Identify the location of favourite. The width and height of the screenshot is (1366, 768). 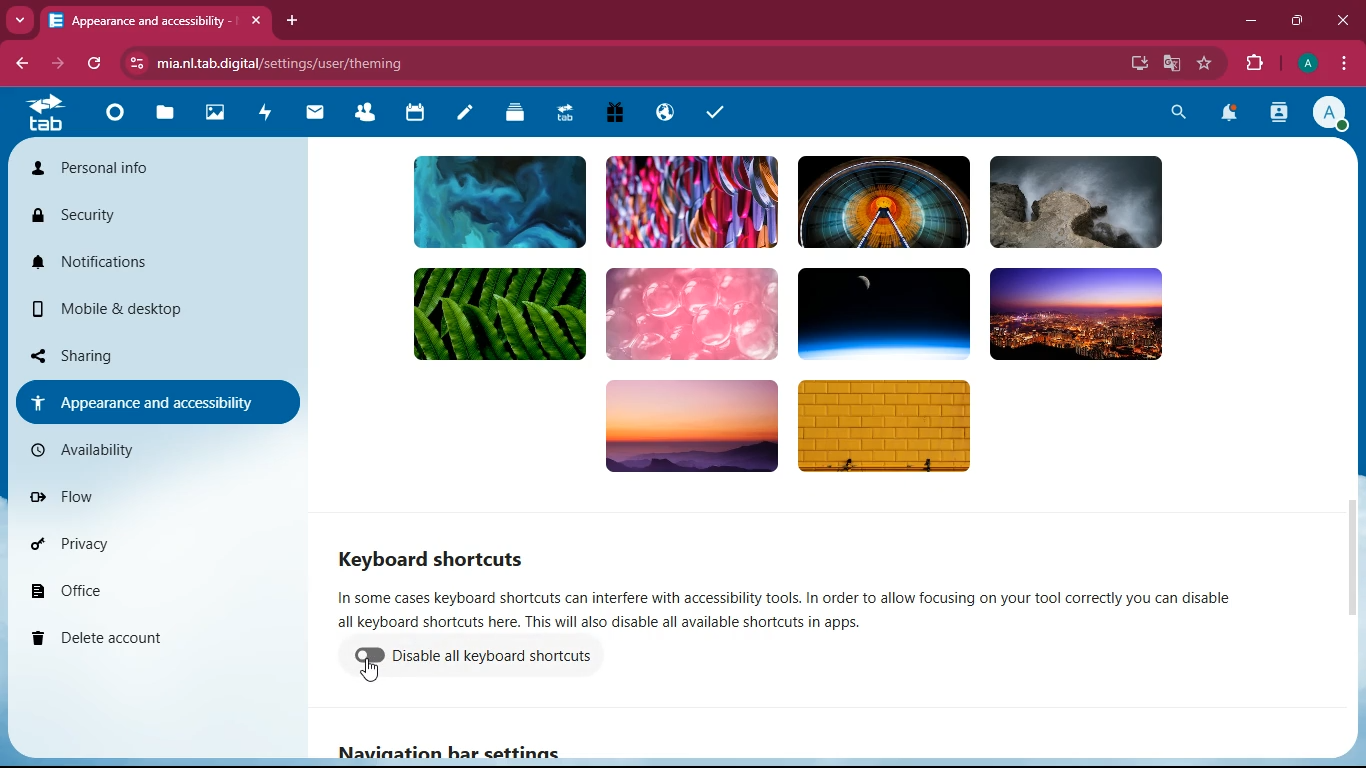
(1205, 64).